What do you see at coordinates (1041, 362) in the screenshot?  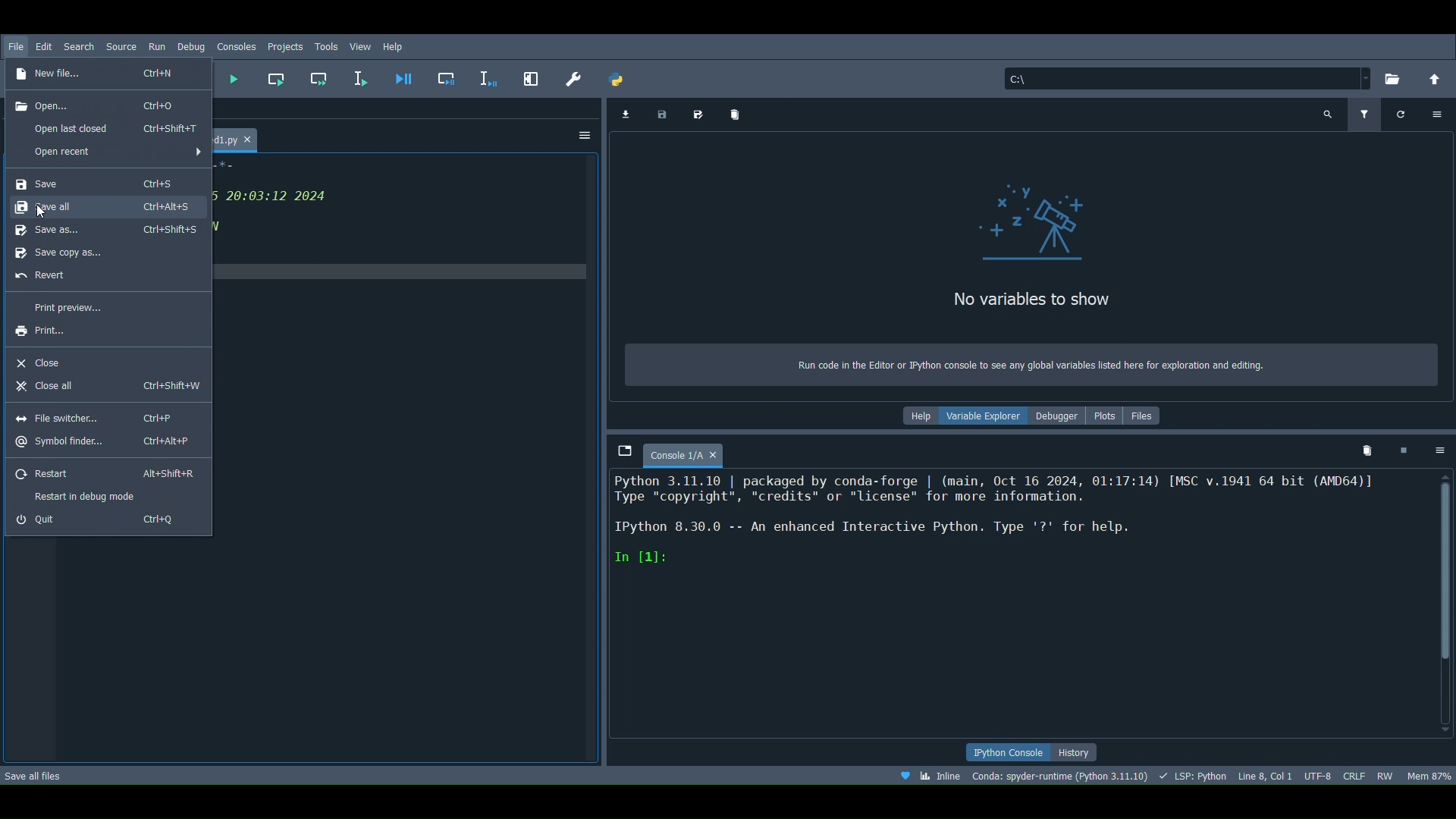 I see `Run code in the Edtur or Pythos console to see any global variables isted here for exploration and editing` at bounding box center [1041, 362].